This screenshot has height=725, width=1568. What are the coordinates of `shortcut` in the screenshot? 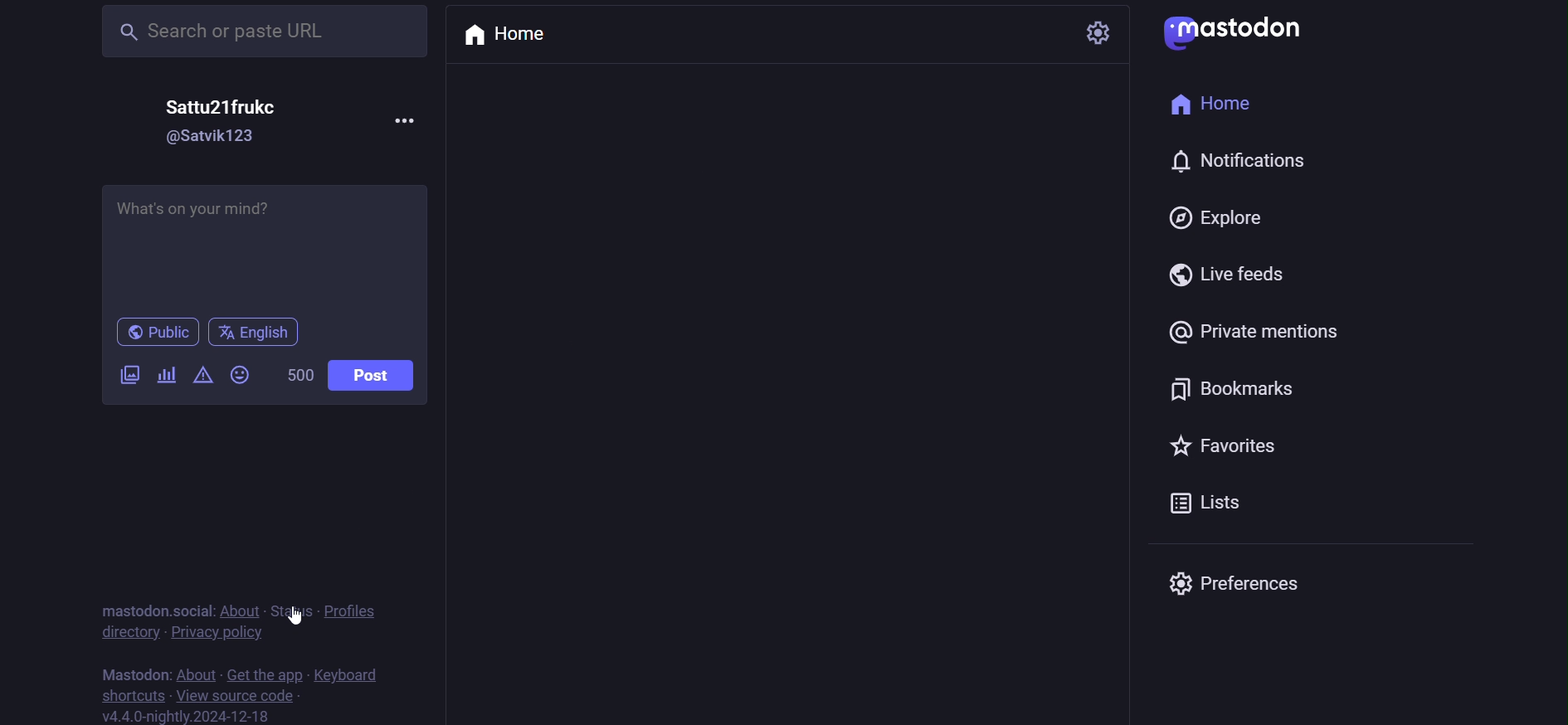 It's located at (134, 694).